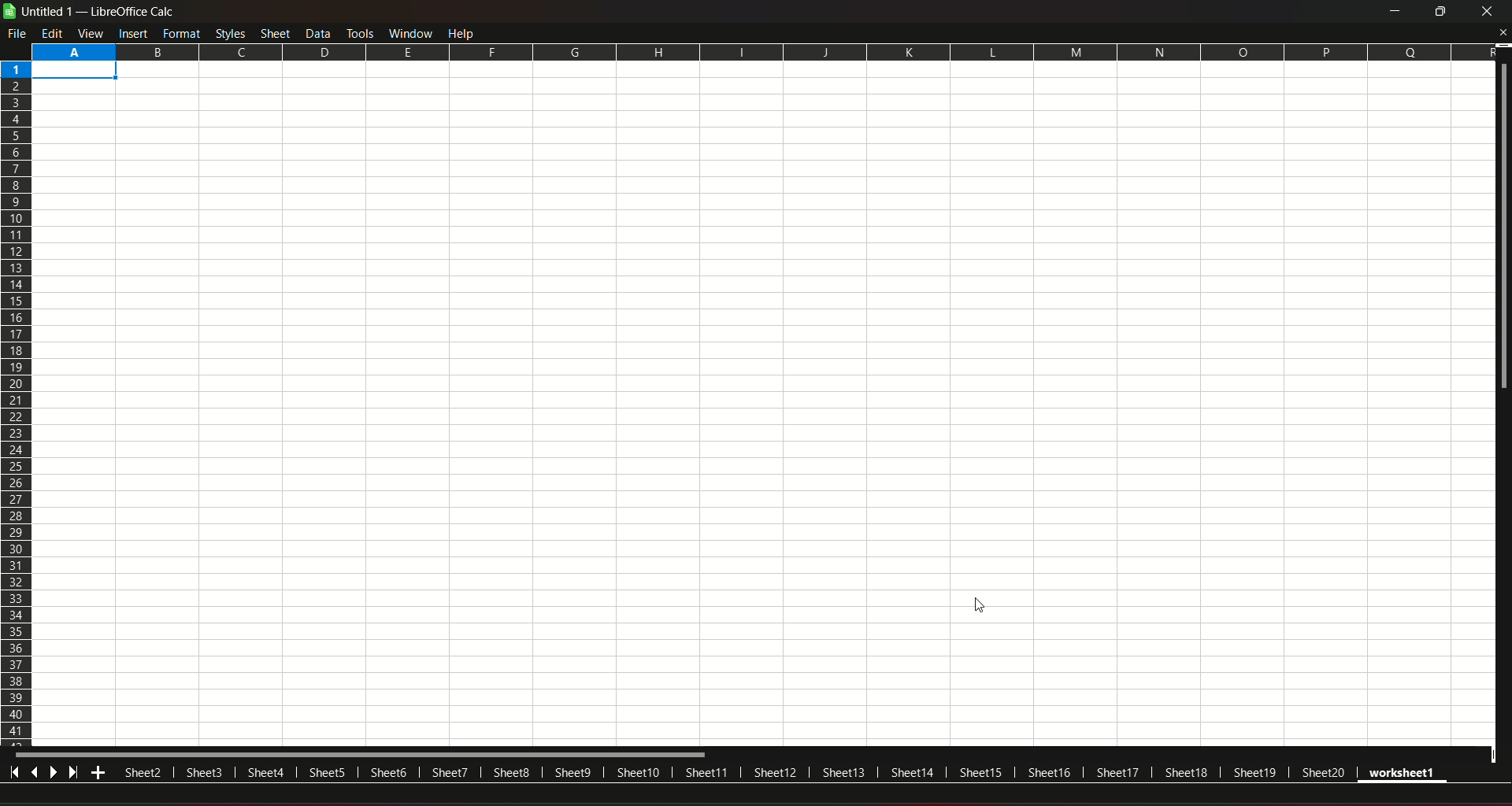 The height and width of the screenshot is (806, 1512). I want to click on Rows, so click(17, 404).